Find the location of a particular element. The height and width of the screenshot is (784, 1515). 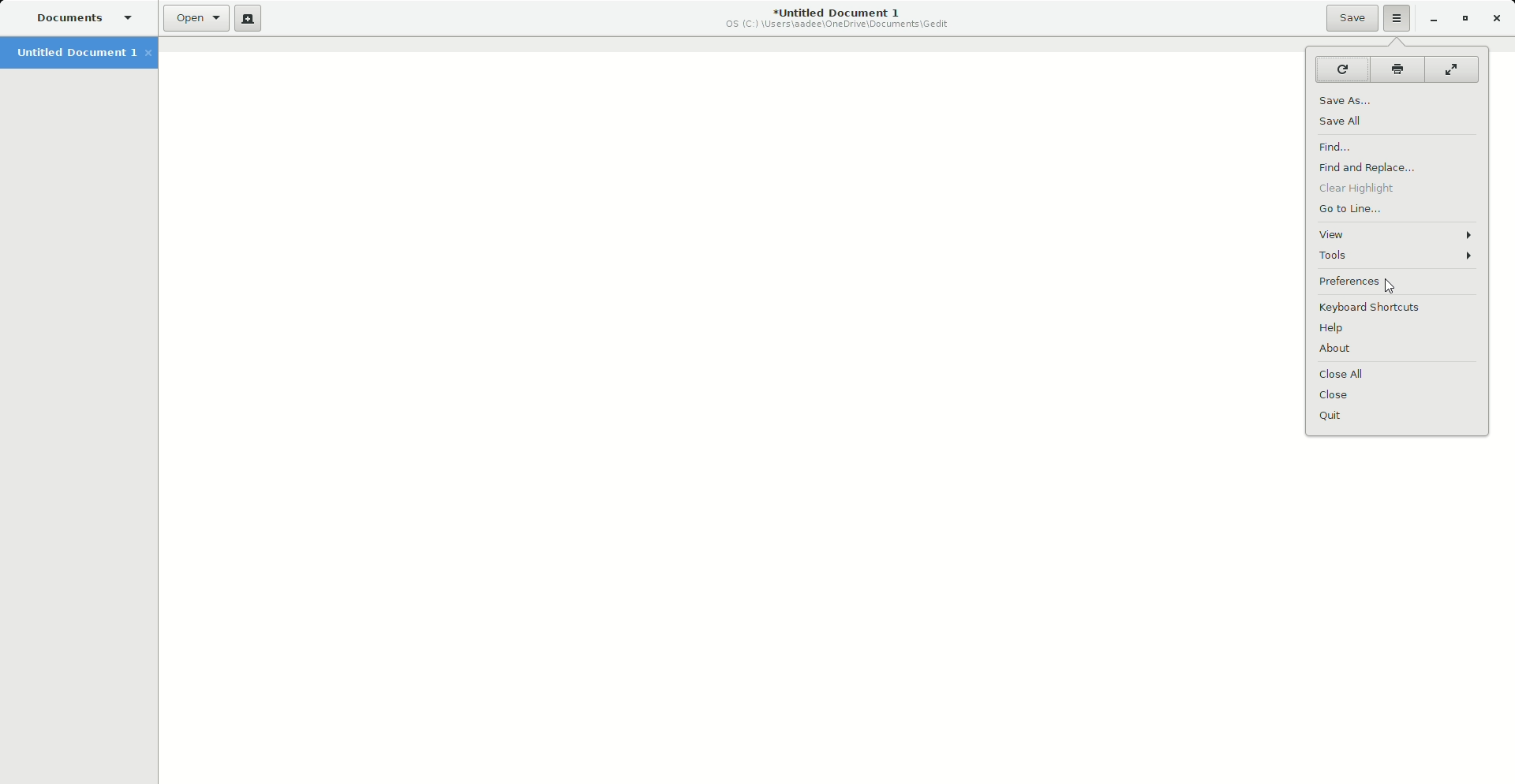

Open is located at coordinates (193, 21).